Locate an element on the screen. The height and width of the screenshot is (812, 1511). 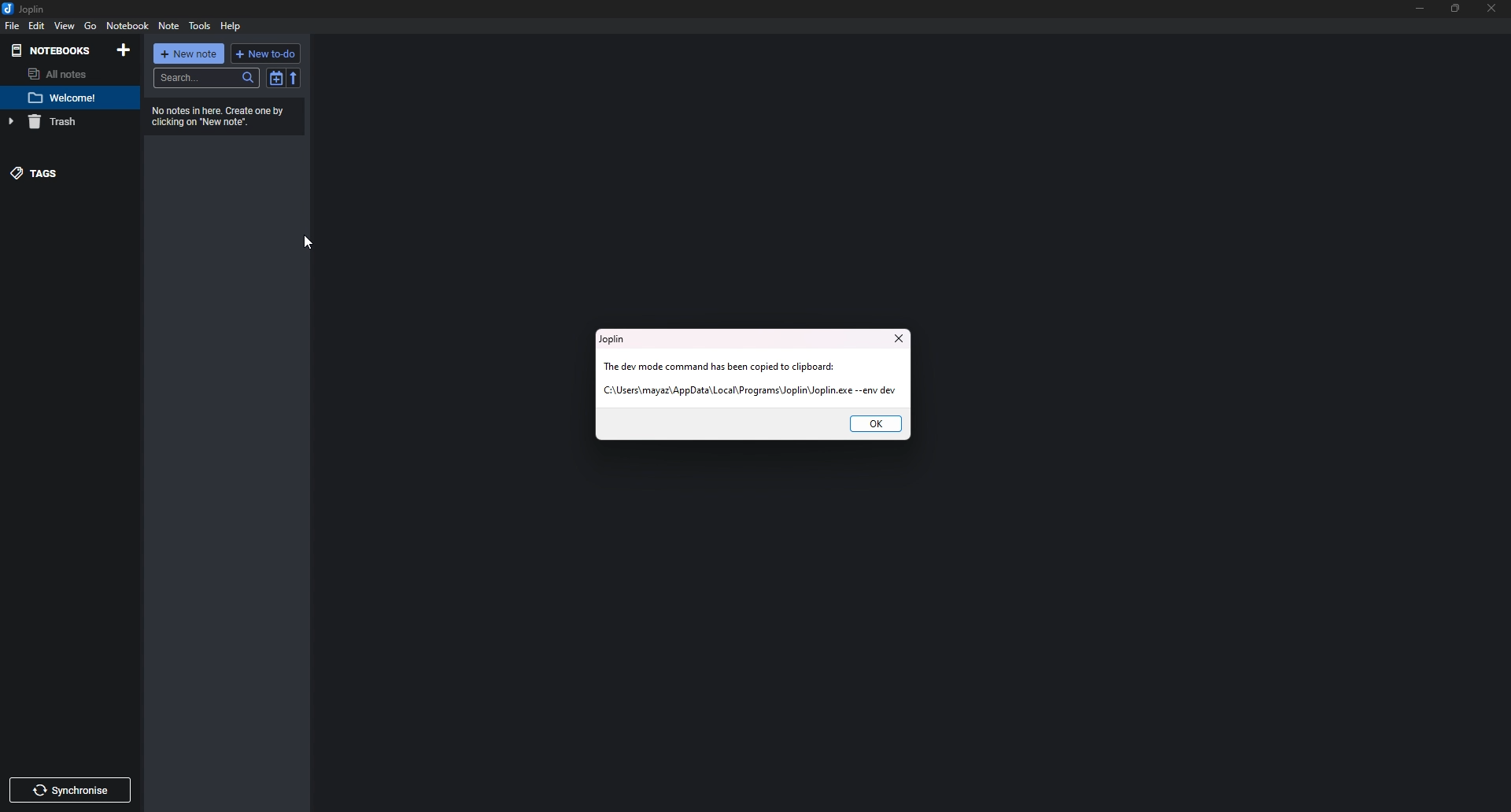
Copied to clipboard is located at coordinates (723, 367).